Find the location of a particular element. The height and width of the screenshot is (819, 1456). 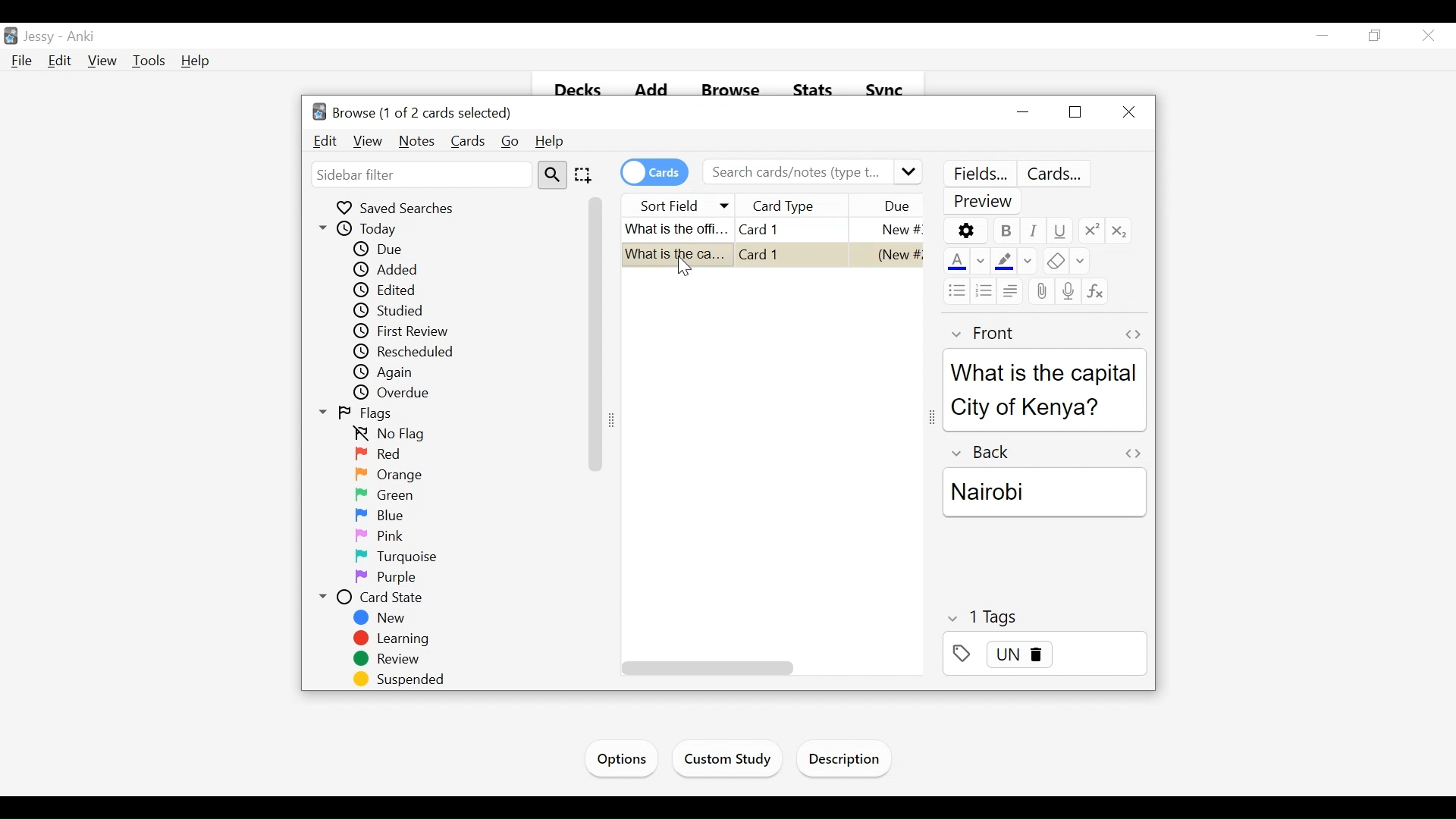

Anki Desktop Icon is located at coordinates (11, 35).